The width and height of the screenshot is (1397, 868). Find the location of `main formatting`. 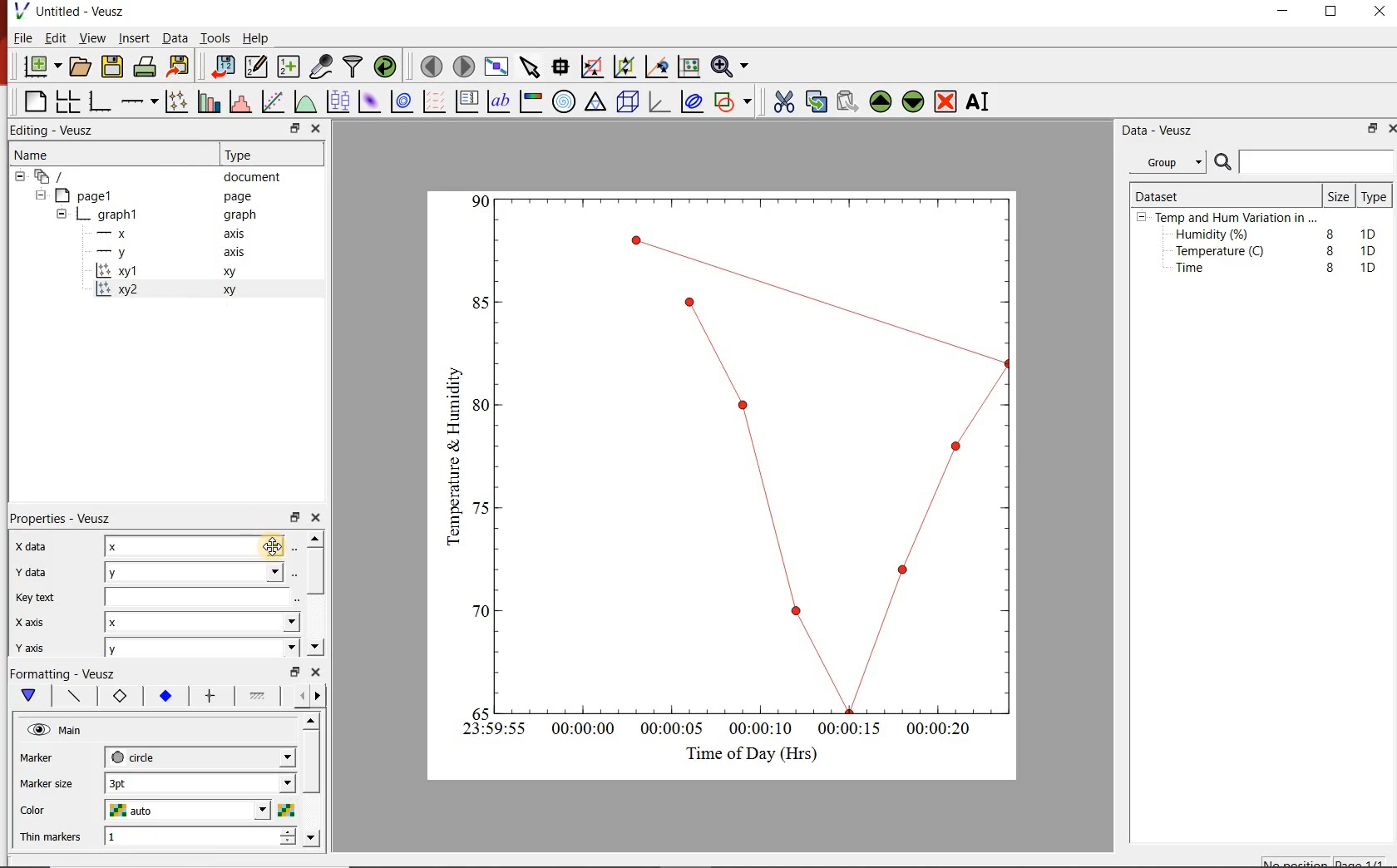

main formatting is located at coordinates (30, 697).